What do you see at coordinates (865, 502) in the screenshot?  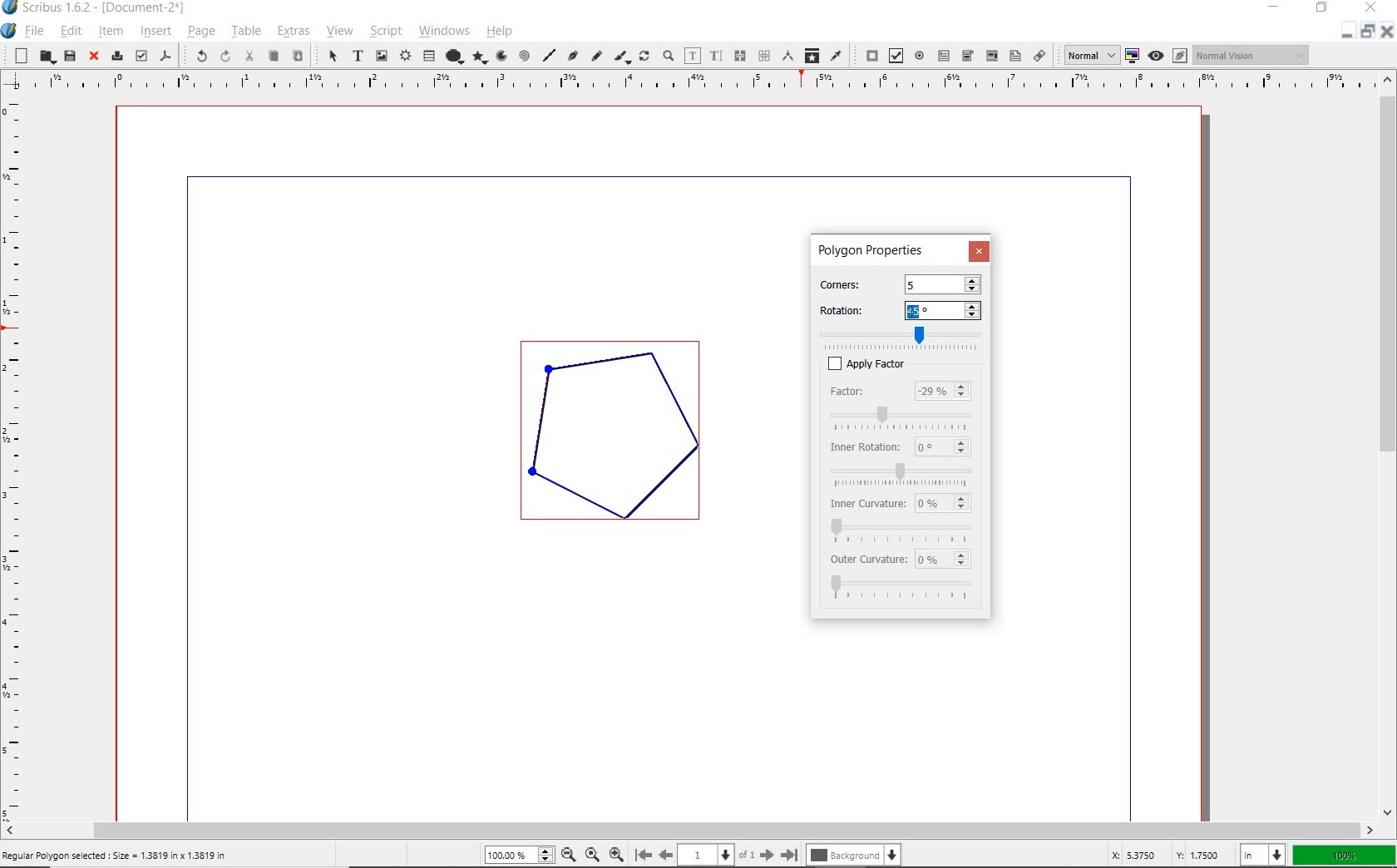 I see `INNER CURVATURE` at bounding box center [865, 502].